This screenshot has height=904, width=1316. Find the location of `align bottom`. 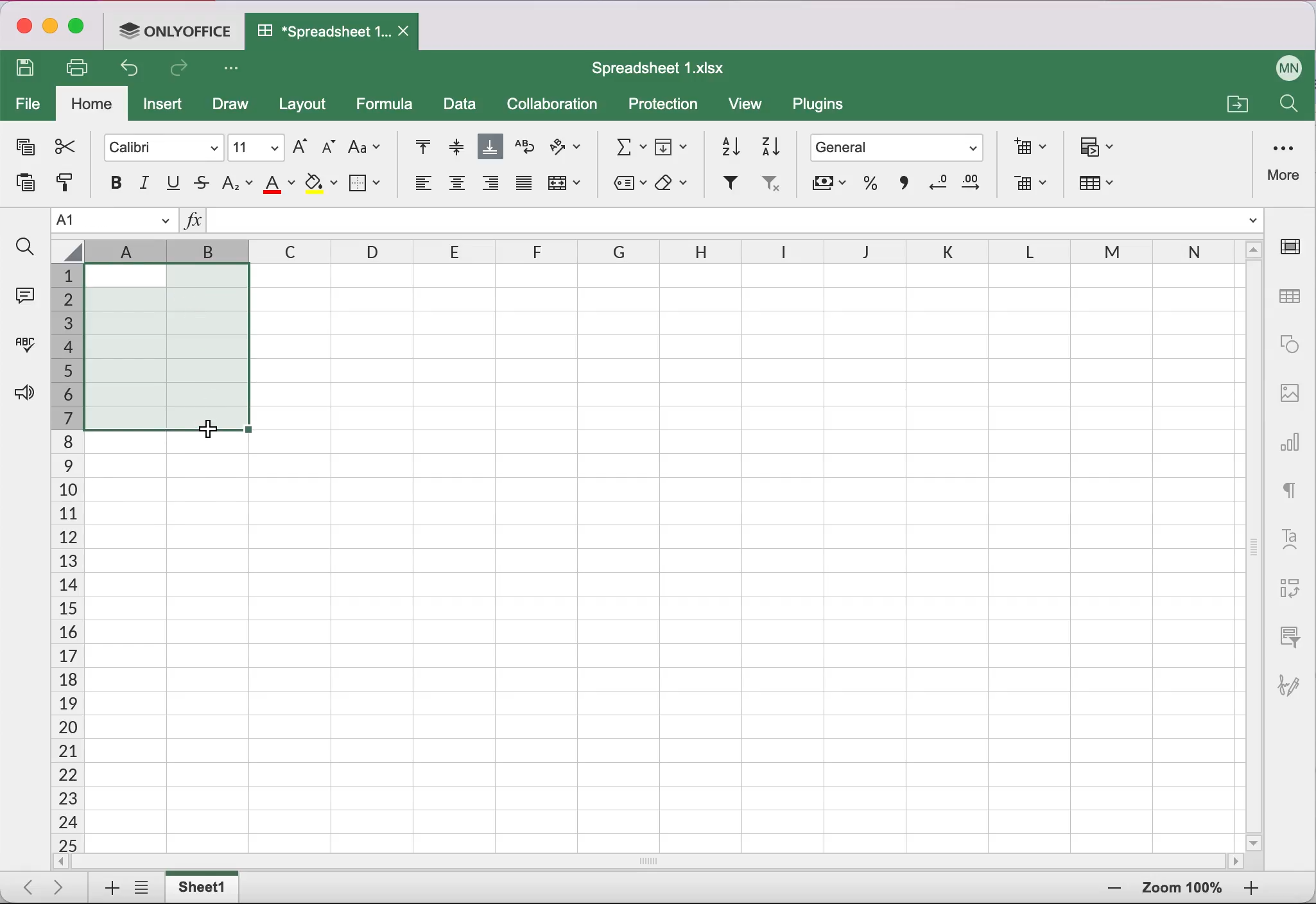

align bottom is located at coordinates (491, 148).